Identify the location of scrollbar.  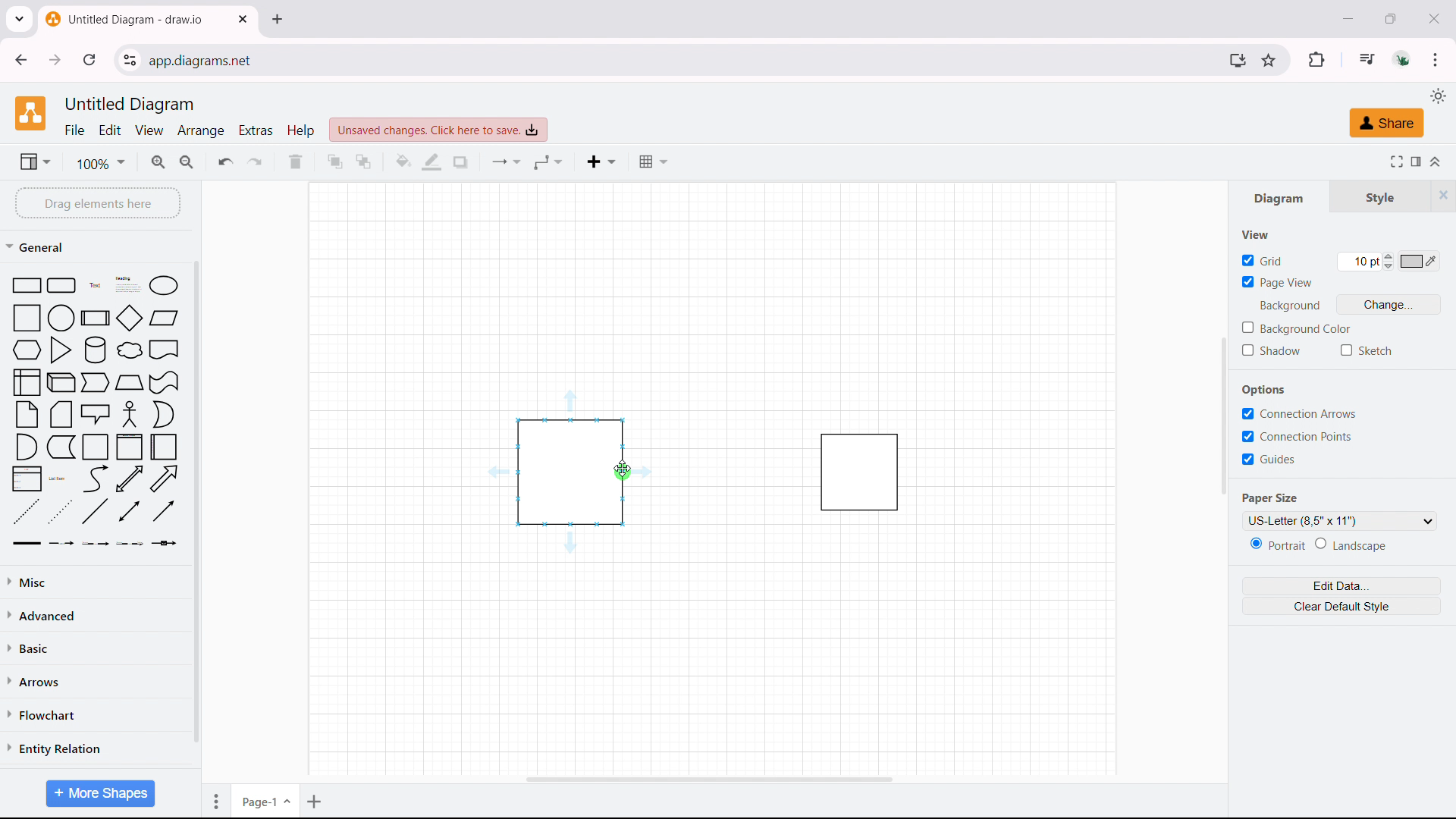
(1224, 413).